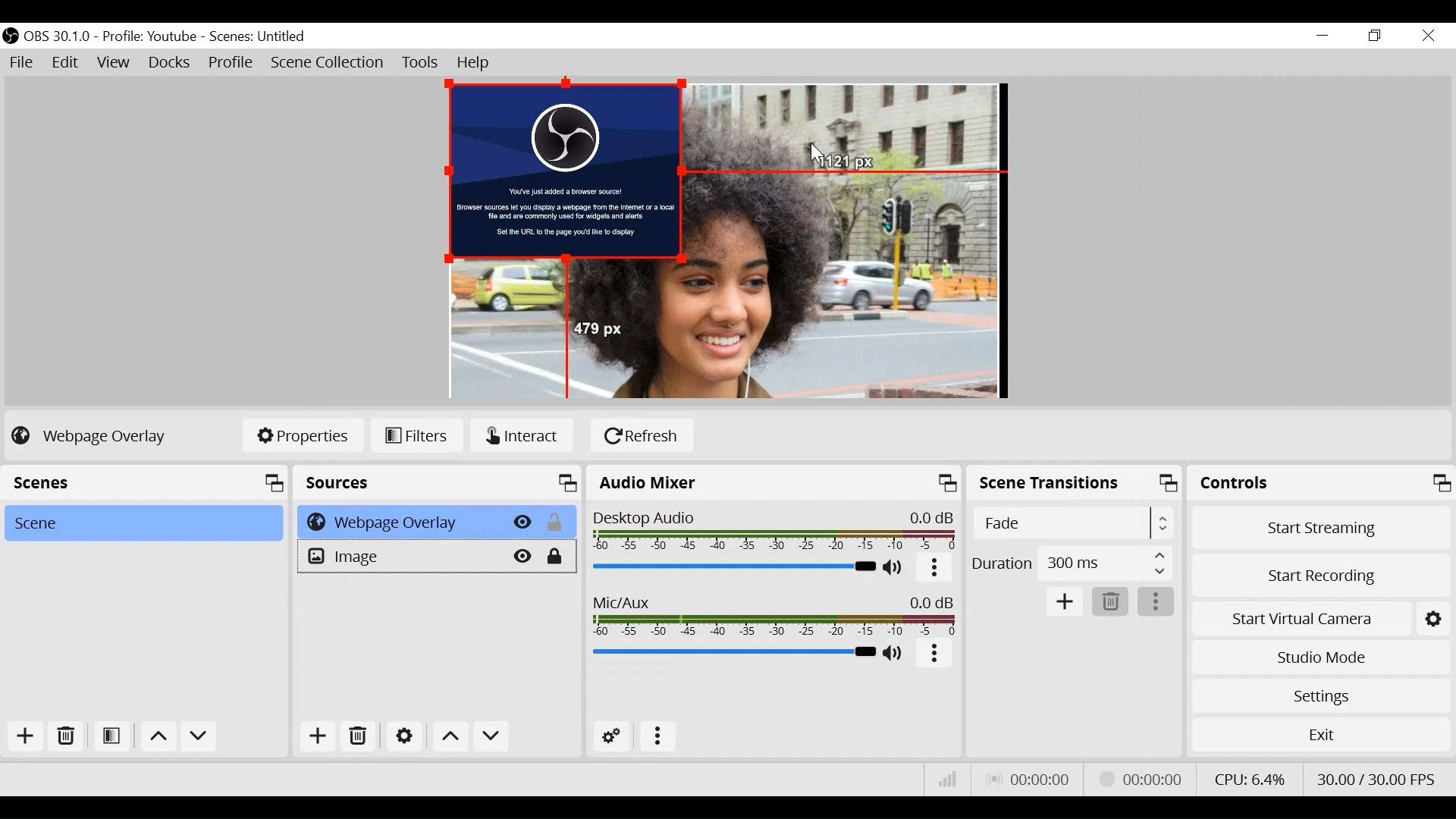 The height and width of the screenshot is (819, 1456). Describe the element at coordinates (1428, 36) in the screenshot. I see `Close` at that location.